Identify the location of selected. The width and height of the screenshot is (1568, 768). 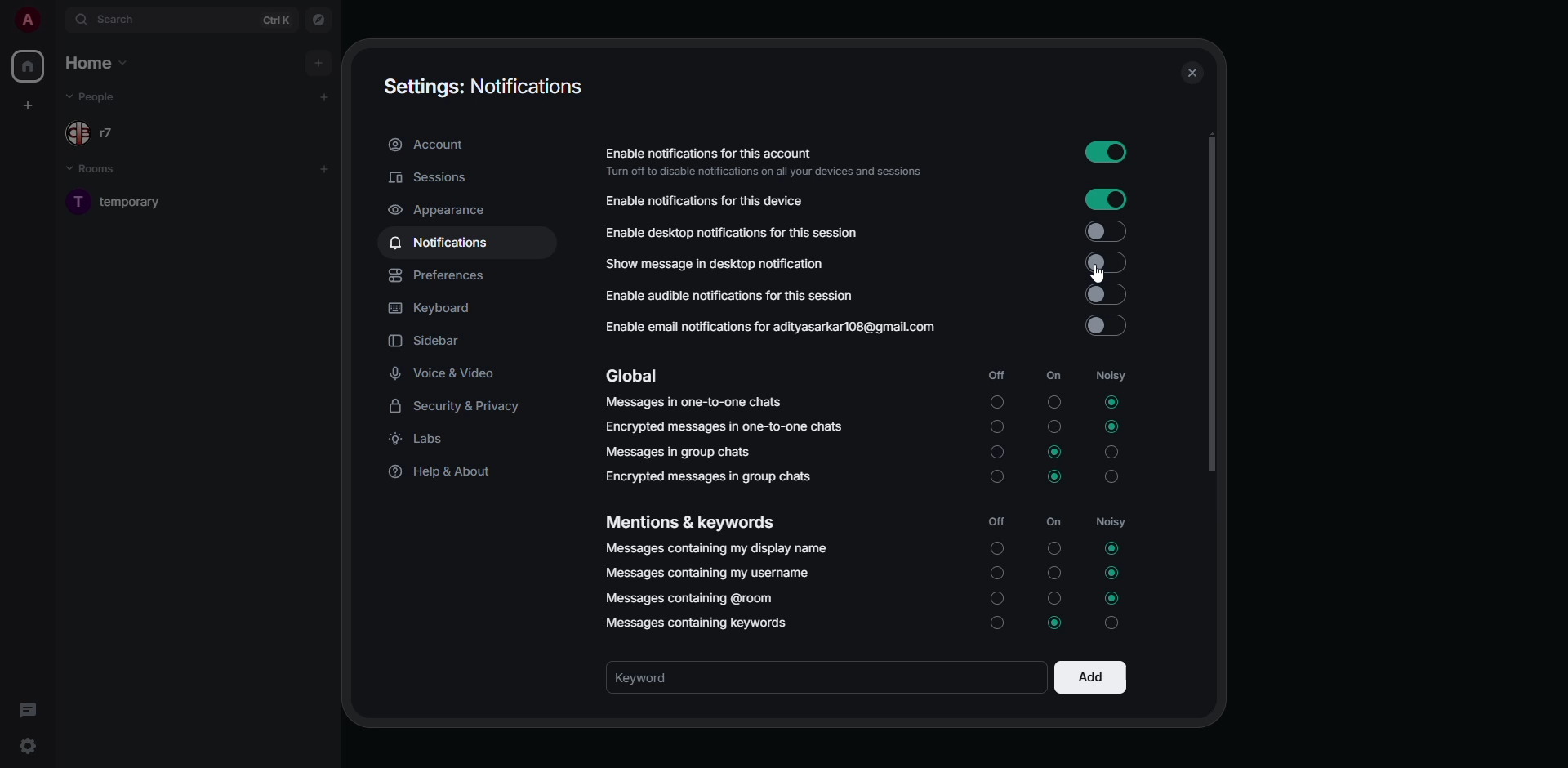
(1113, 547).